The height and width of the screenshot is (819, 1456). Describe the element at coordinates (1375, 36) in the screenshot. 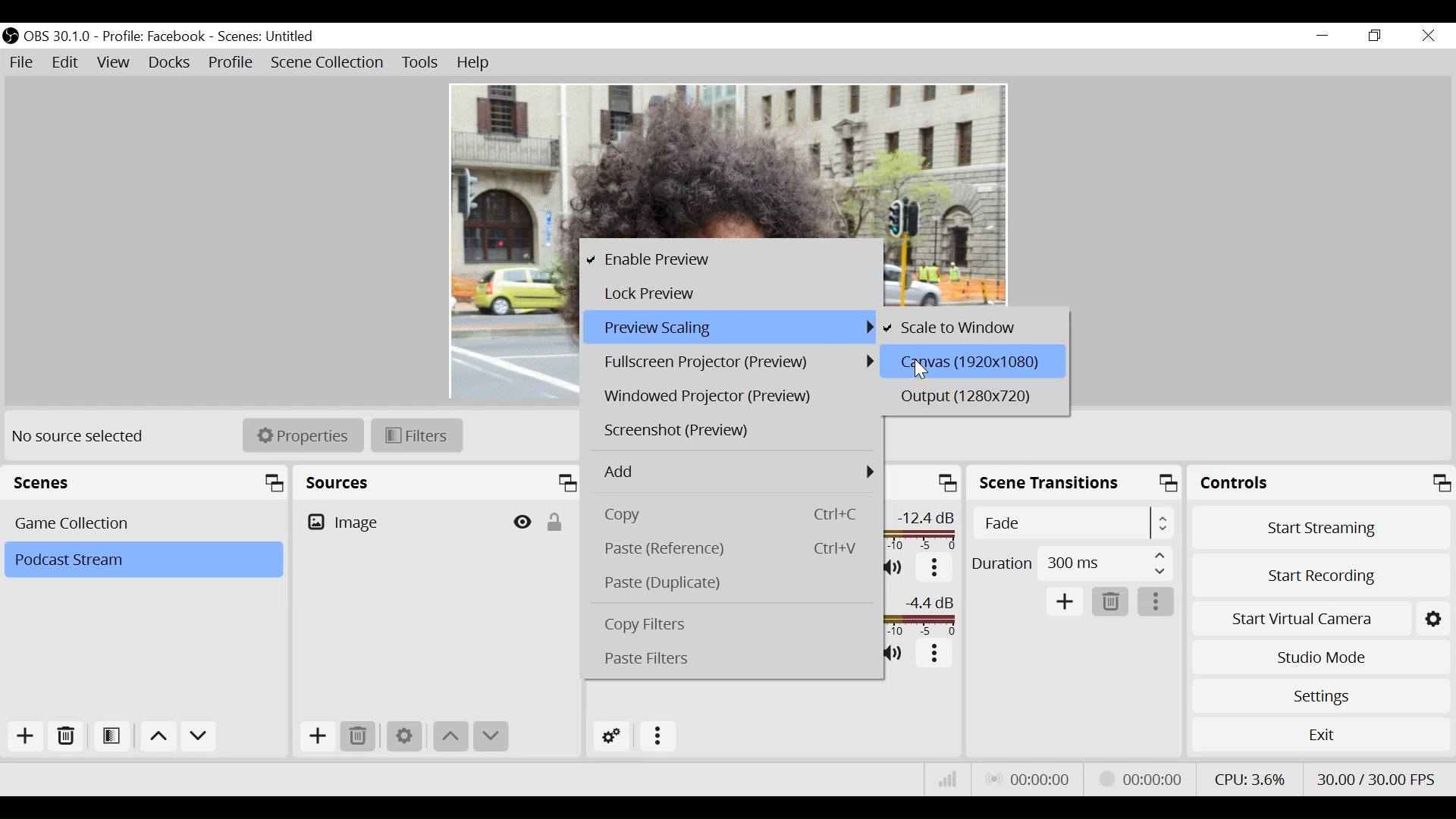

I see `Restore` at that location.